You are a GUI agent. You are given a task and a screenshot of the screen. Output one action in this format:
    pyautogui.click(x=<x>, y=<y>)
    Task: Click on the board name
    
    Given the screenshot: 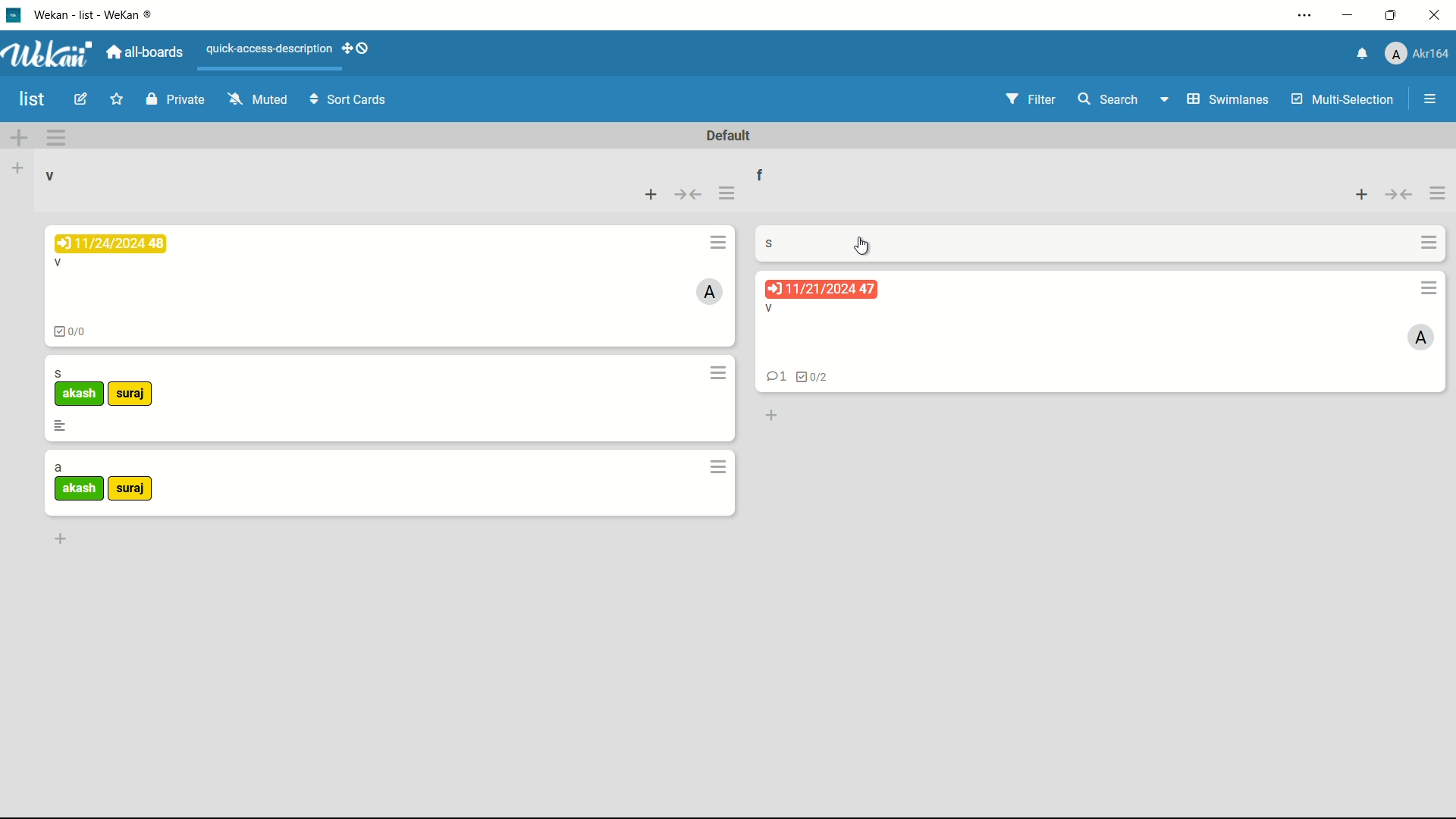 What is the action you would take?
    pyautogui.click(x=33, y=100)
    